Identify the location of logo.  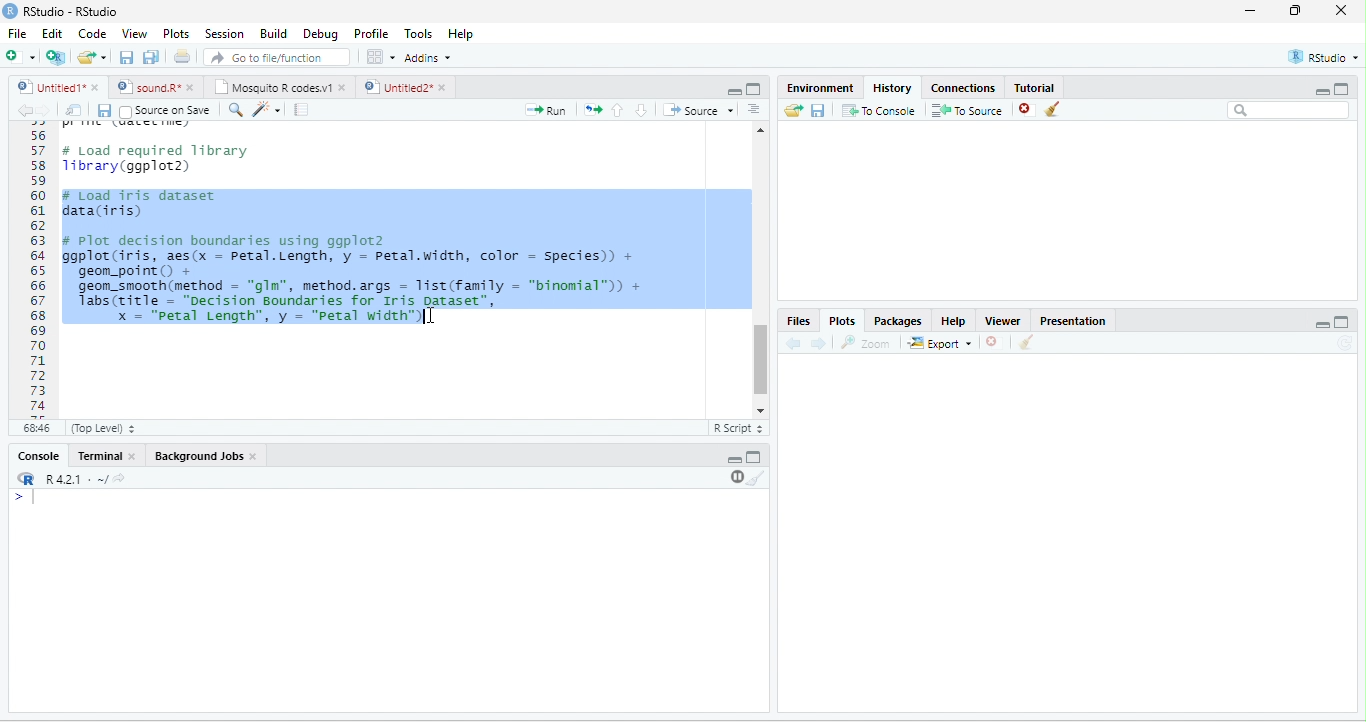
(9, 11).